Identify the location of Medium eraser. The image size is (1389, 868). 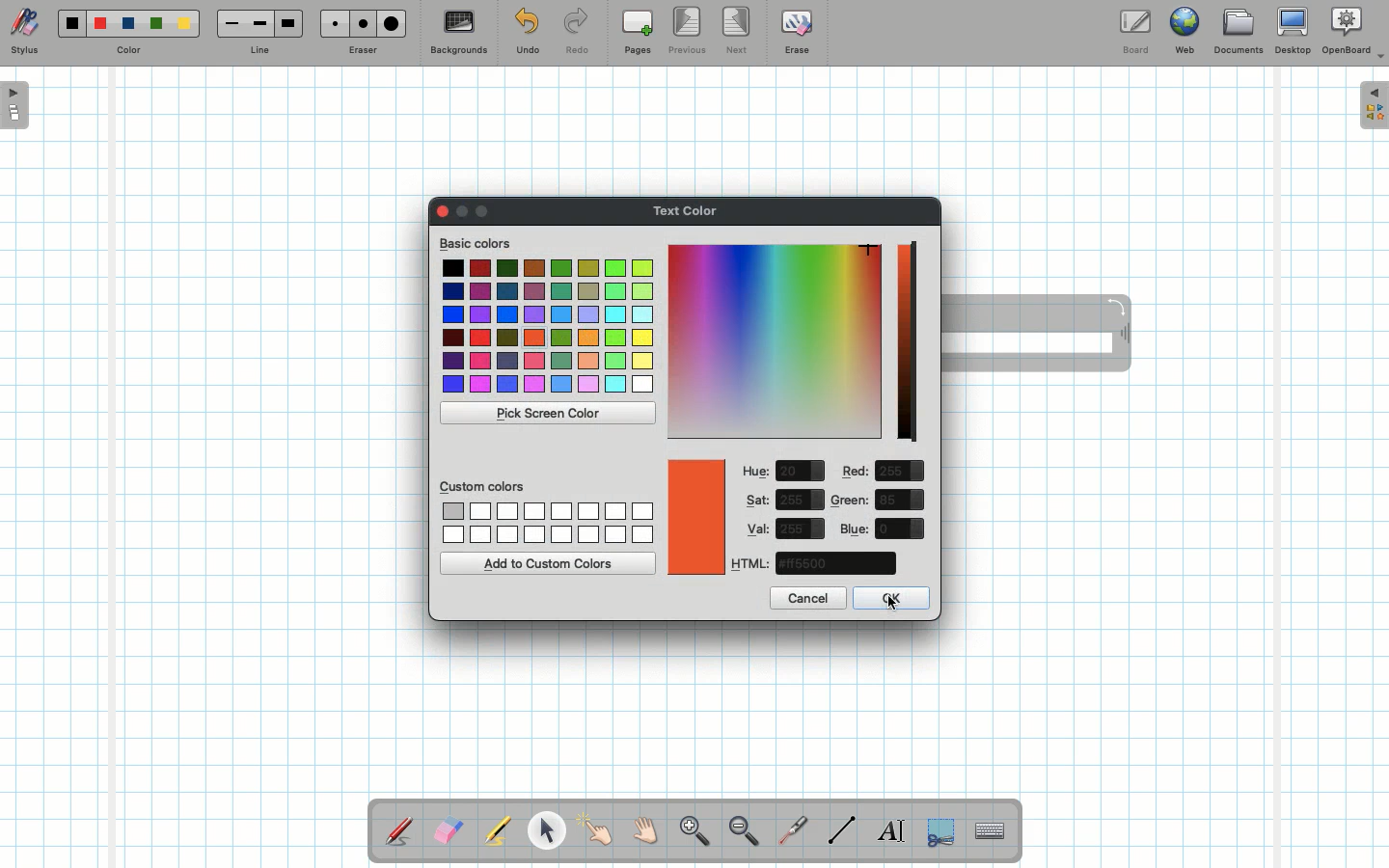
(360, 23).